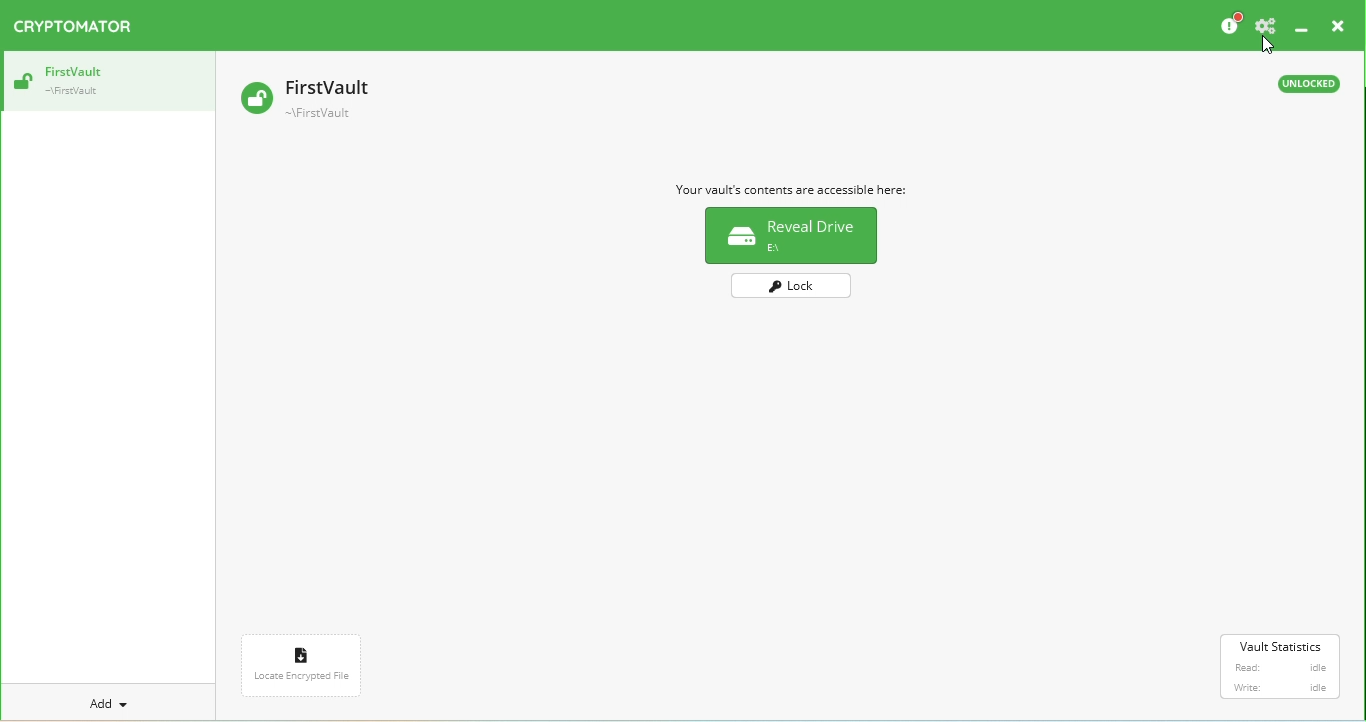 The image size is (1366, 722). Describe the element at coordinates (1267, 46) in the screenshot. I see `Cursor` at that location.